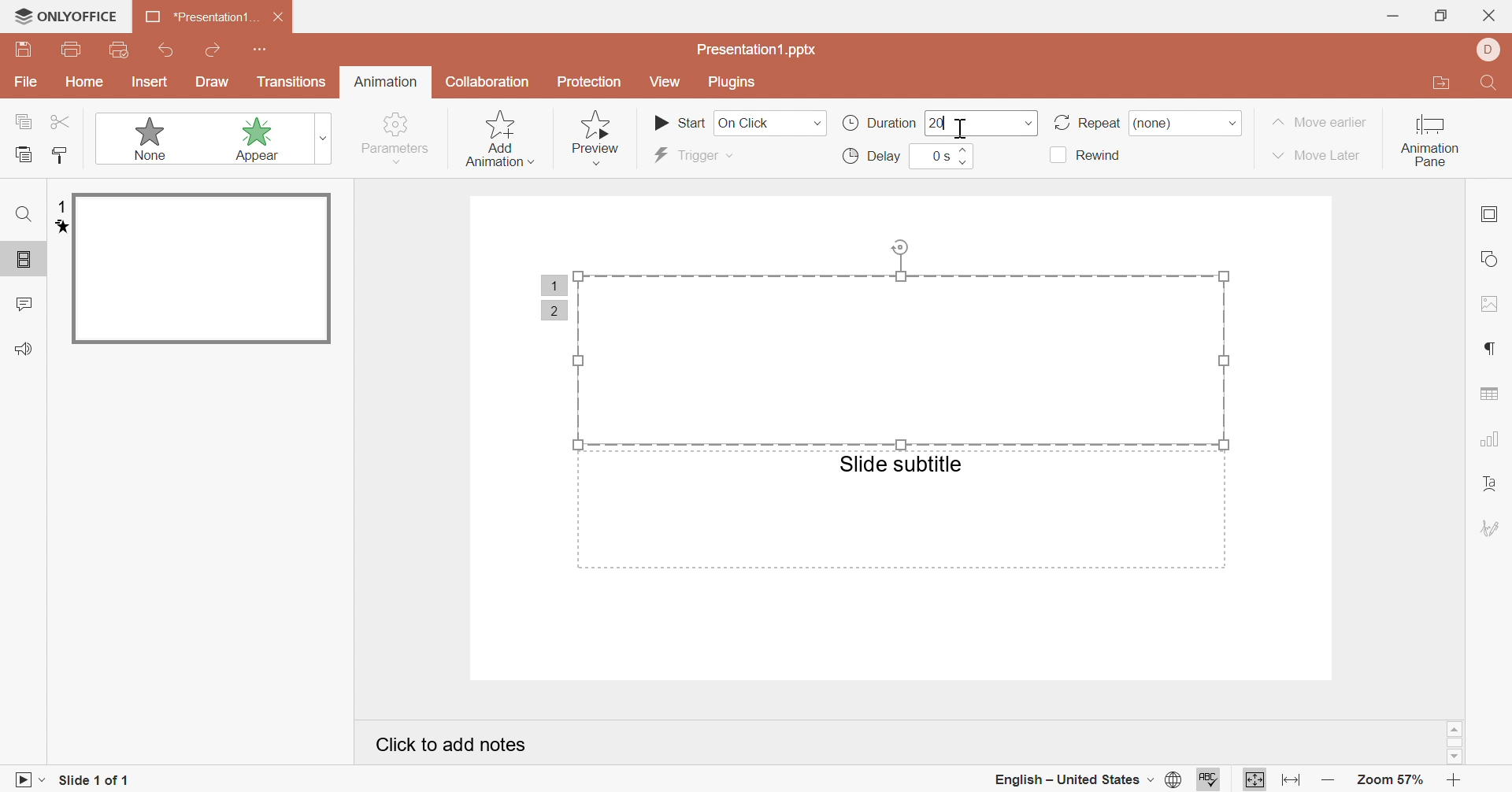 The image size is (1512, 792). Describe the element at coordinates (962, 128) in the screenshot. I see `cursor` at that location.